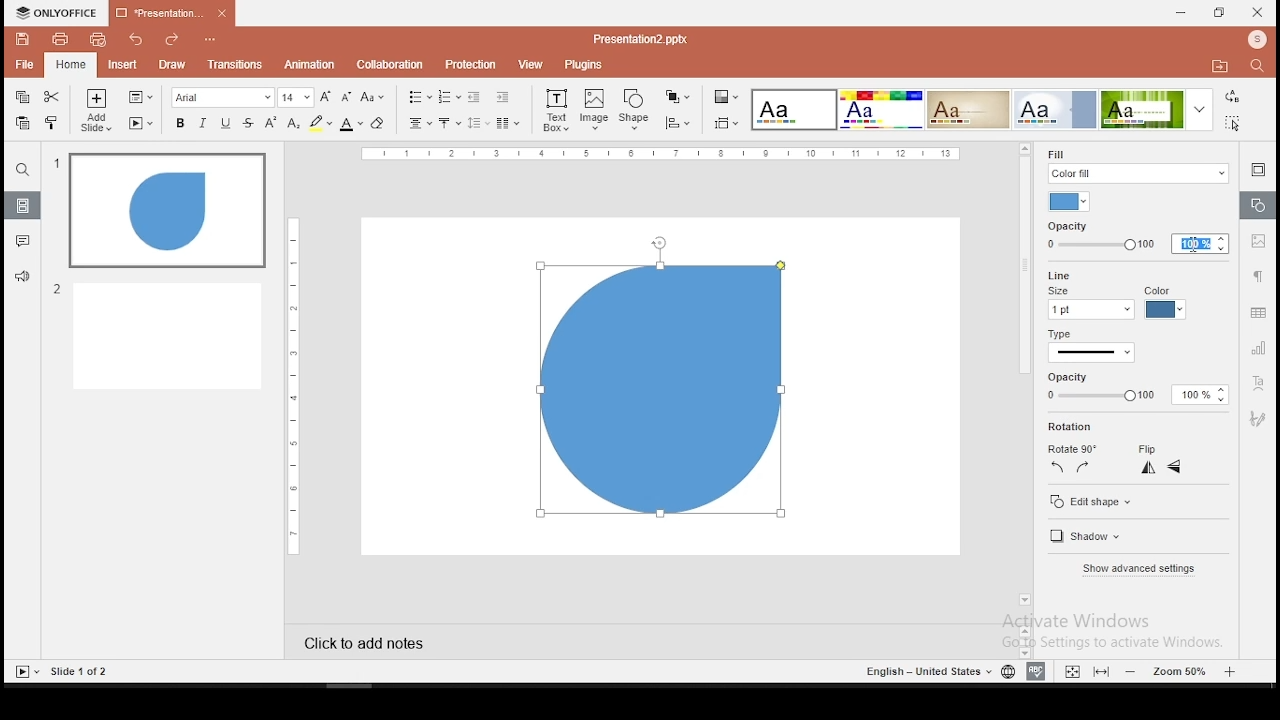 This screenshot has width=1280, height=720. I want to click on font size, so click(297, 98).